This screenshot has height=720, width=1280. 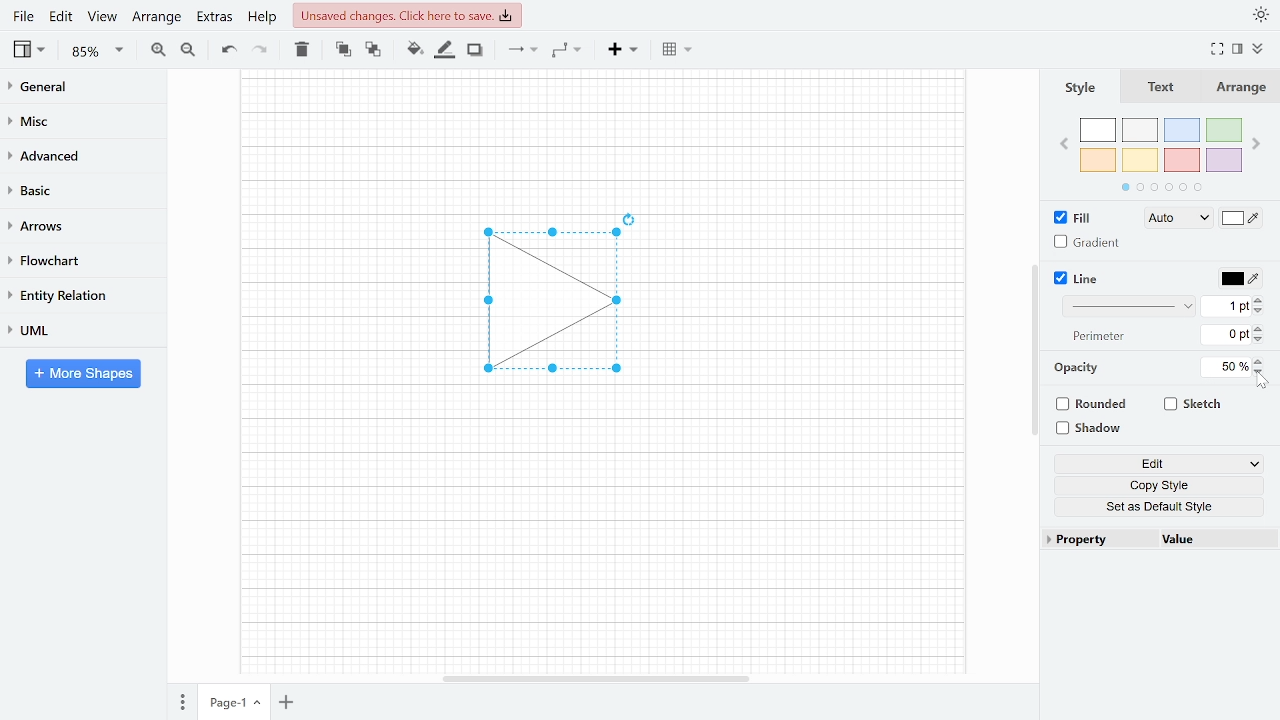 What do you see at coordinates (31, 49) in the screenshot?
I see `View` at bounding box center [31, 49].